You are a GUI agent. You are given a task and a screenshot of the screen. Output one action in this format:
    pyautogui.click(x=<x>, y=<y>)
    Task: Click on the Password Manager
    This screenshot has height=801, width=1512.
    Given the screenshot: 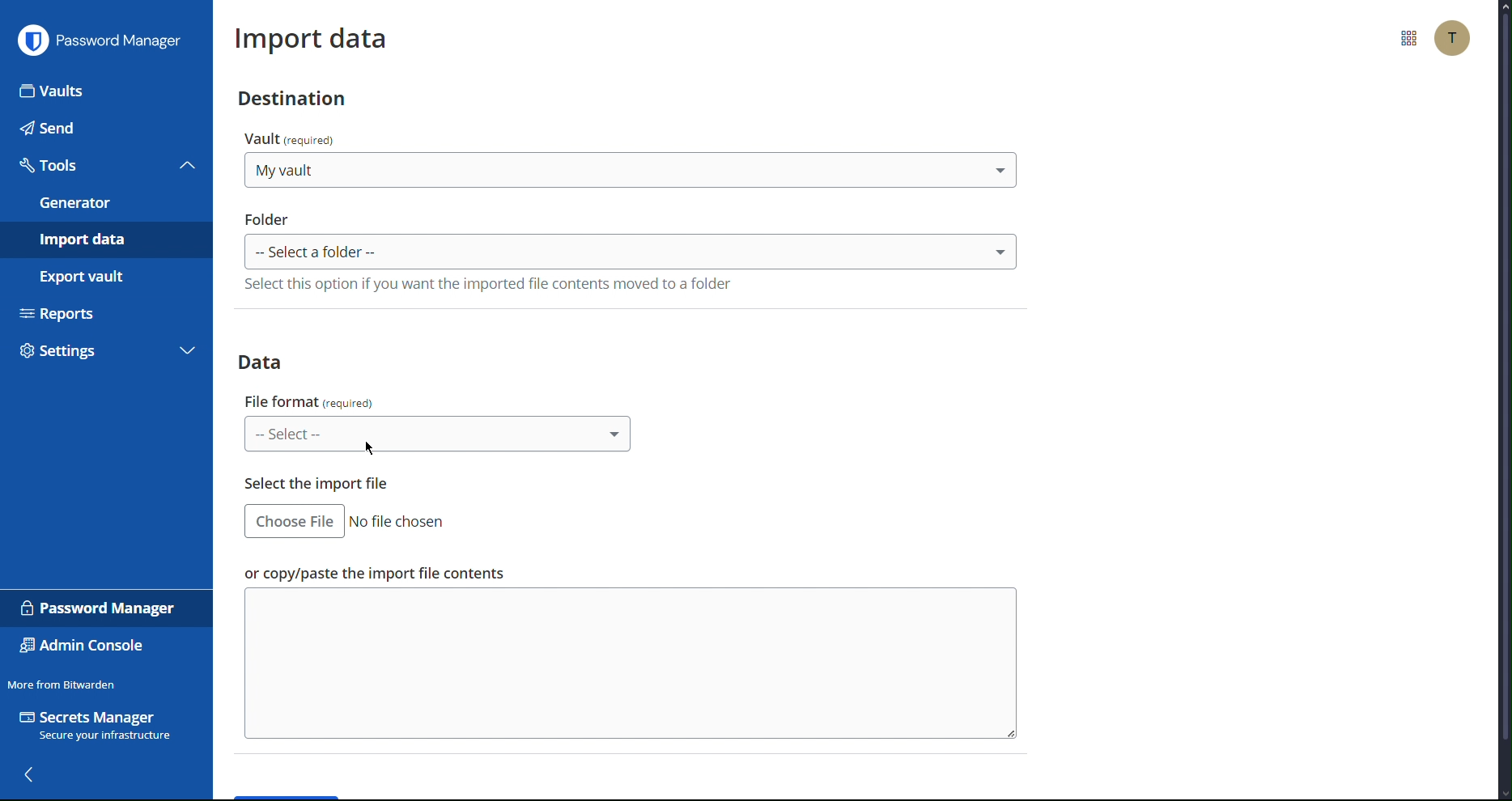 What is the action you would take?
    pyautogui.click(x=100, y=39)
    